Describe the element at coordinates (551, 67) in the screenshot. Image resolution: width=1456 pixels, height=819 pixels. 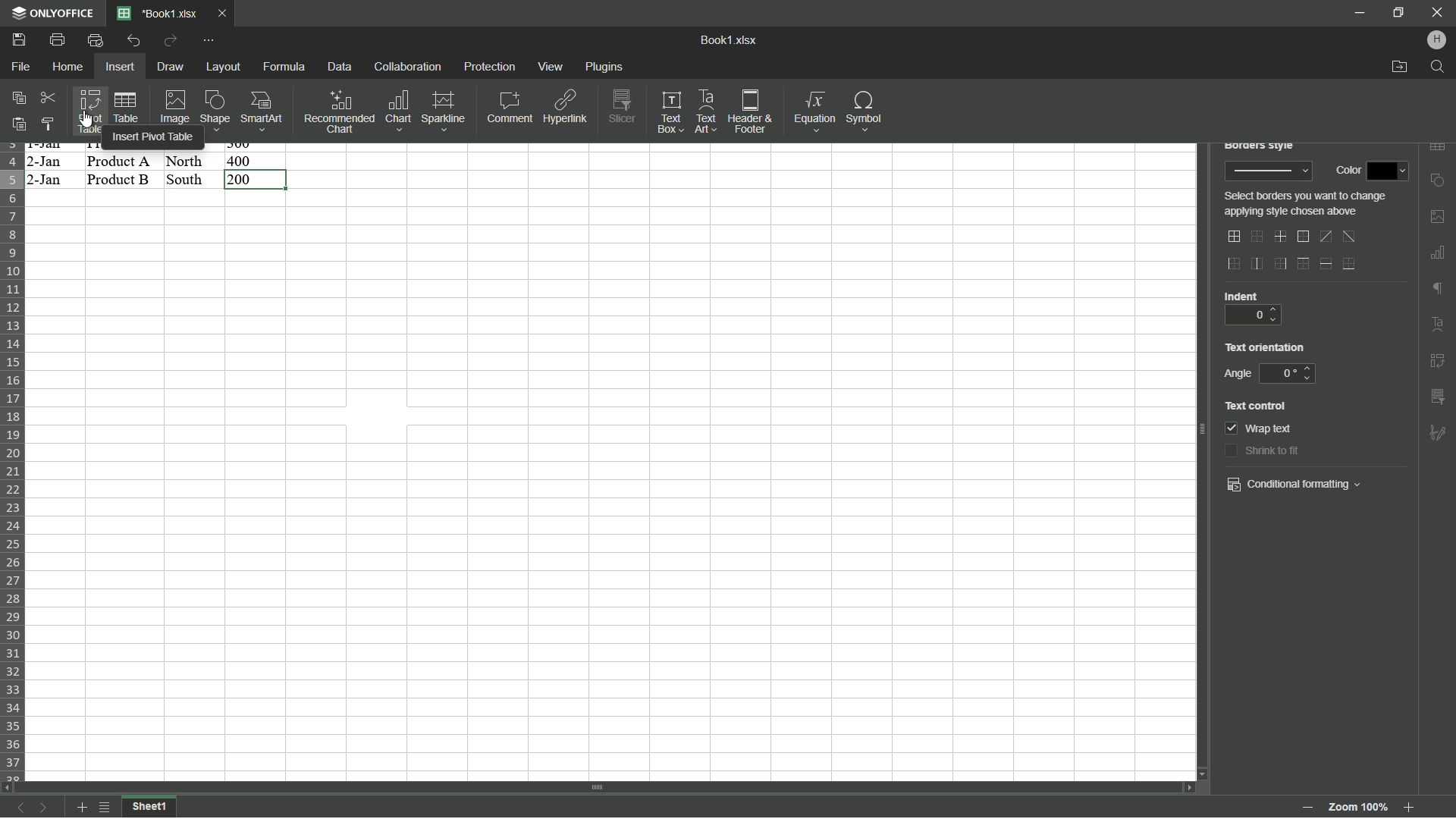
I see `view` at that location.